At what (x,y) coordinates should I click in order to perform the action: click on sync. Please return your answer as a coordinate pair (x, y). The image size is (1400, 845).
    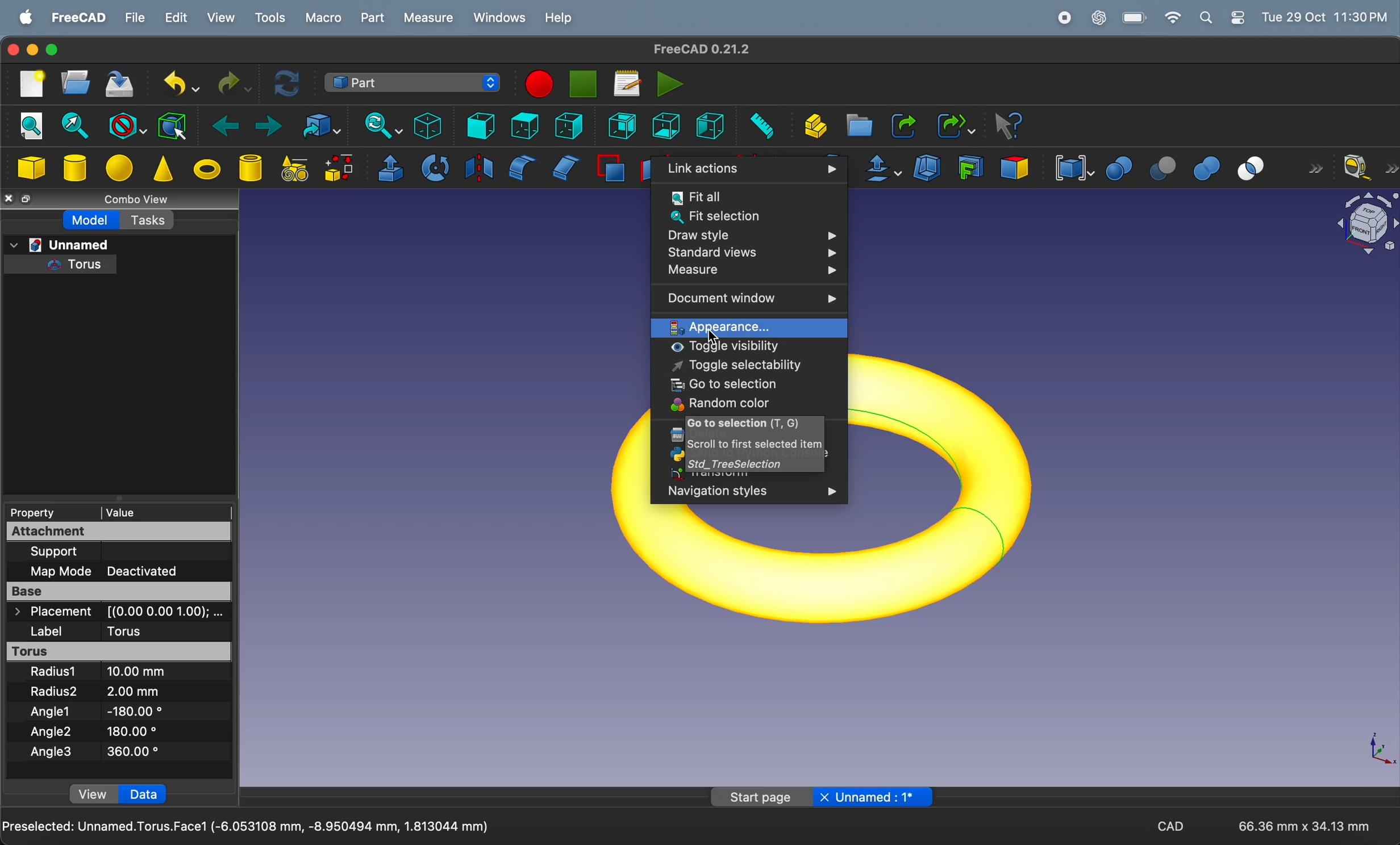
    Looking at the image, I should click on (377, 124).